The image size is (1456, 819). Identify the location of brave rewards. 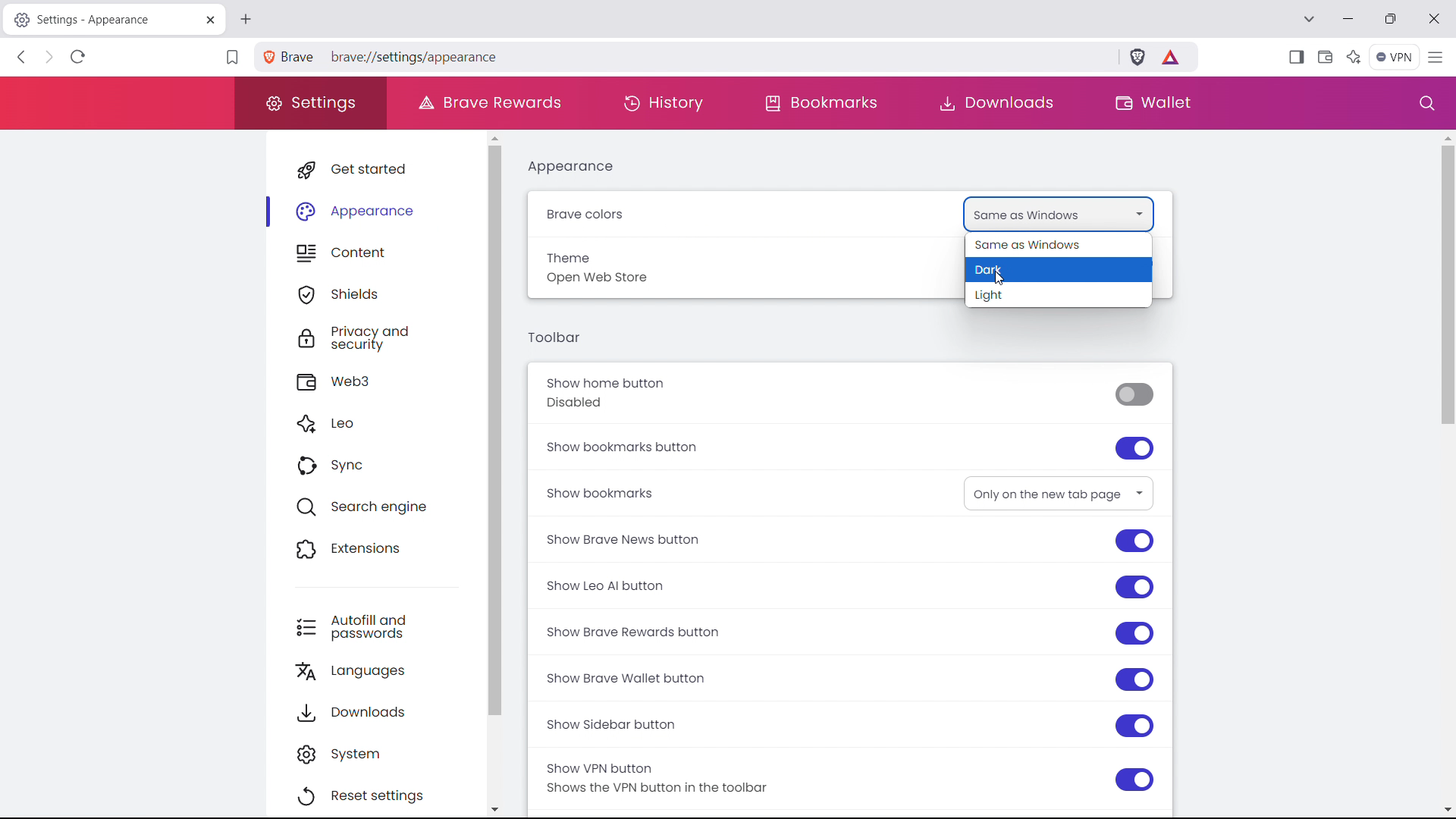
(489, 102).